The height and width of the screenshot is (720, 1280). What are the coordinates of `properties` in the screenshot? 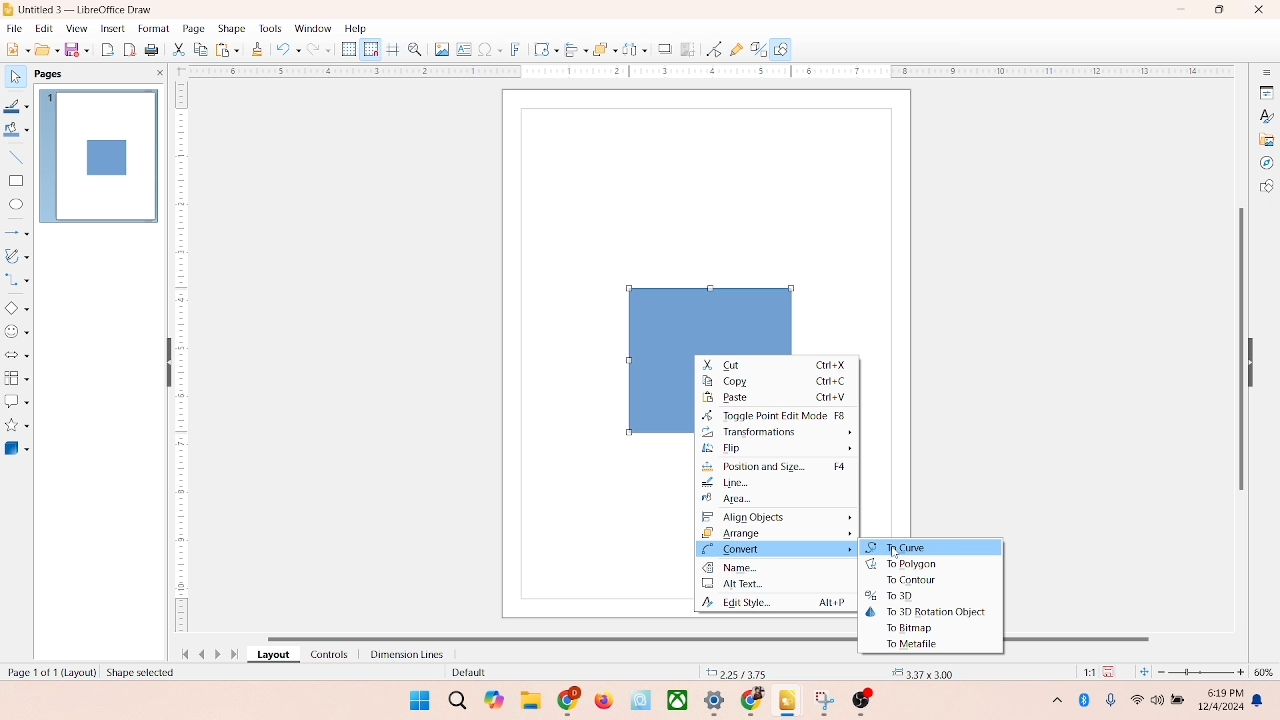 It's located at (1265, 91).